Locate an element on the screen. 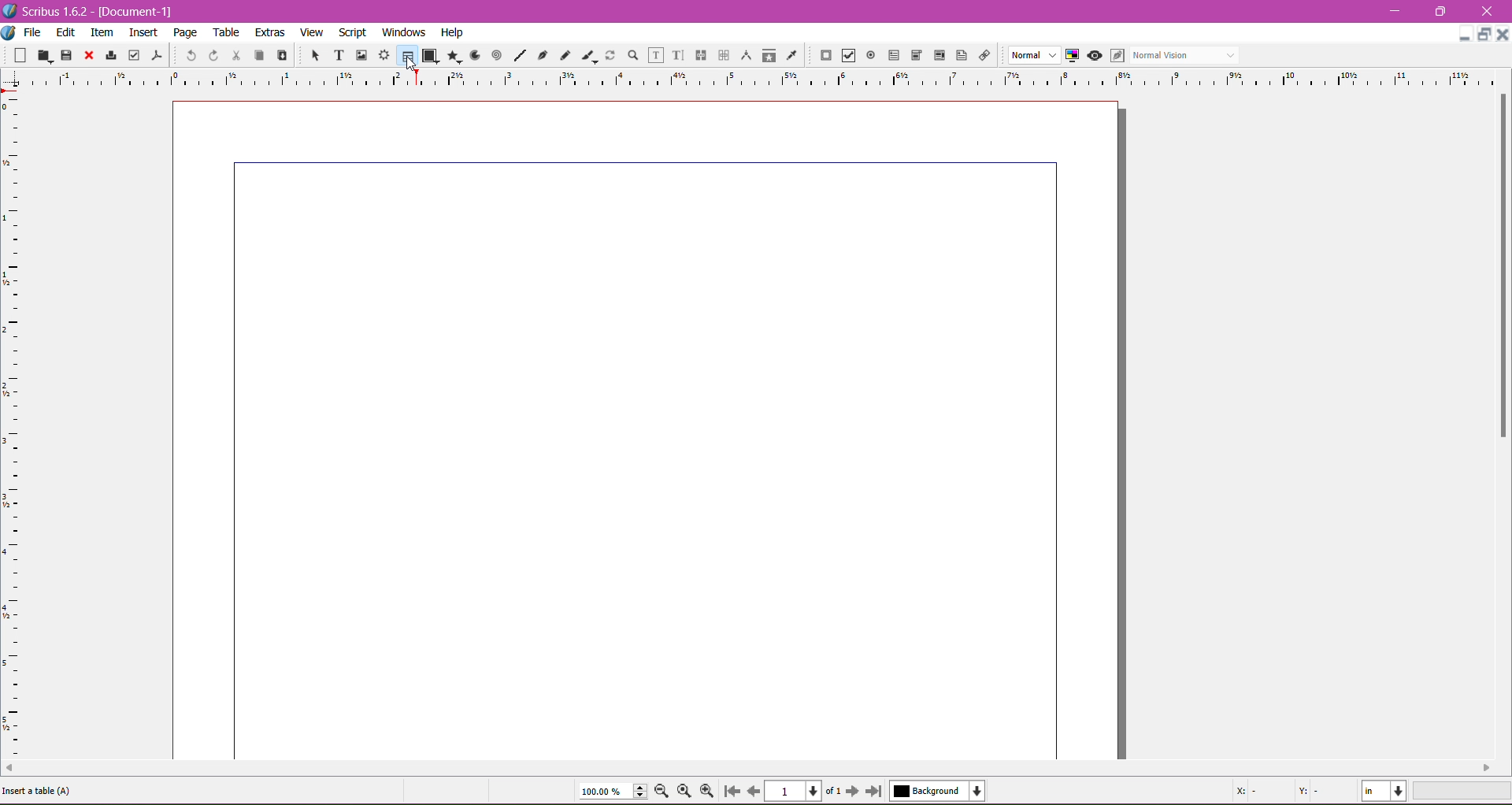 The image size is (1512, 805). Scribus 1.6.2 - [Document-1] is located at coordinates (94, 11).